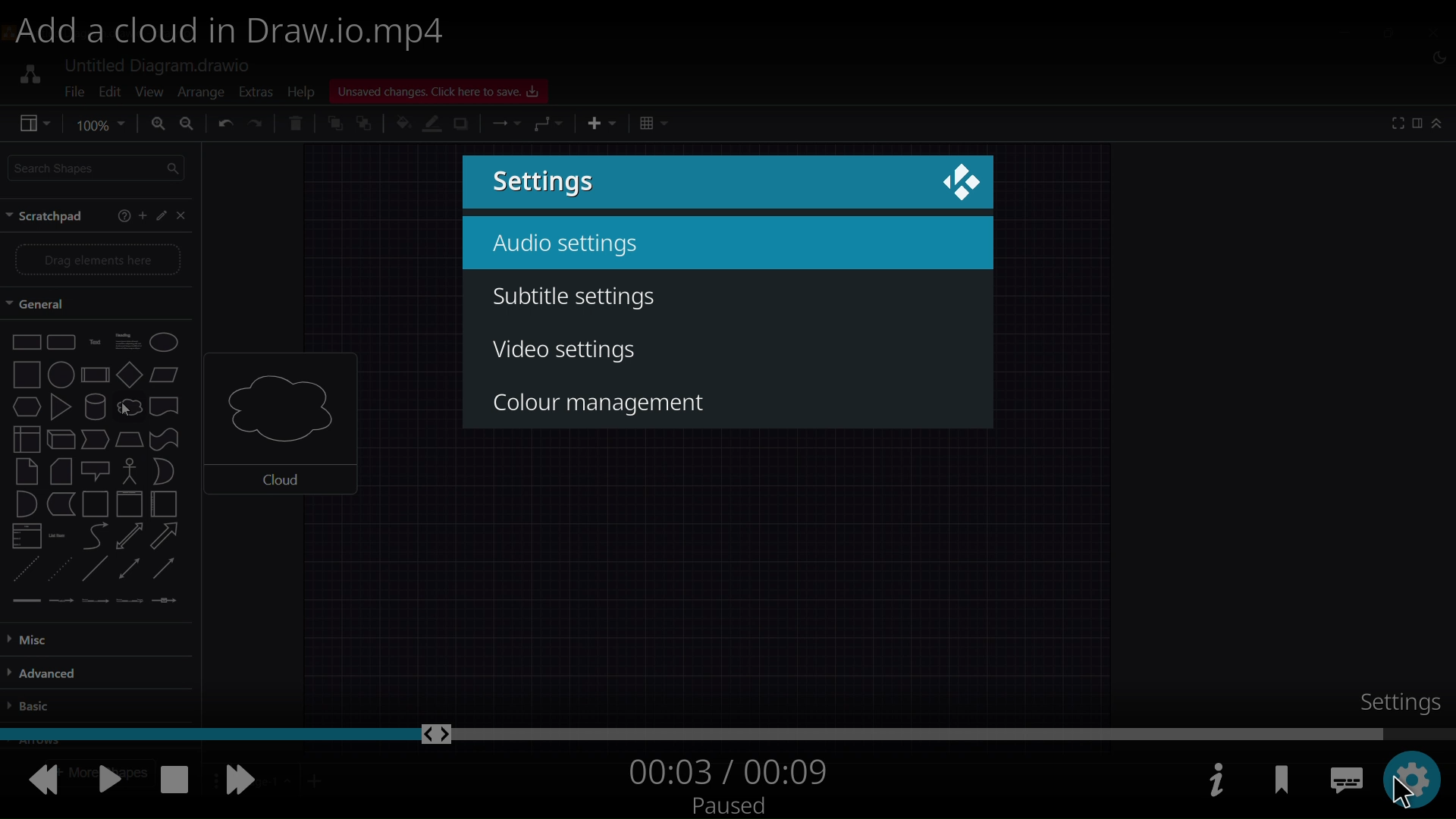 The height and width of the screenshot is (819, 1456). I want to click on video string, so click(728, 732).